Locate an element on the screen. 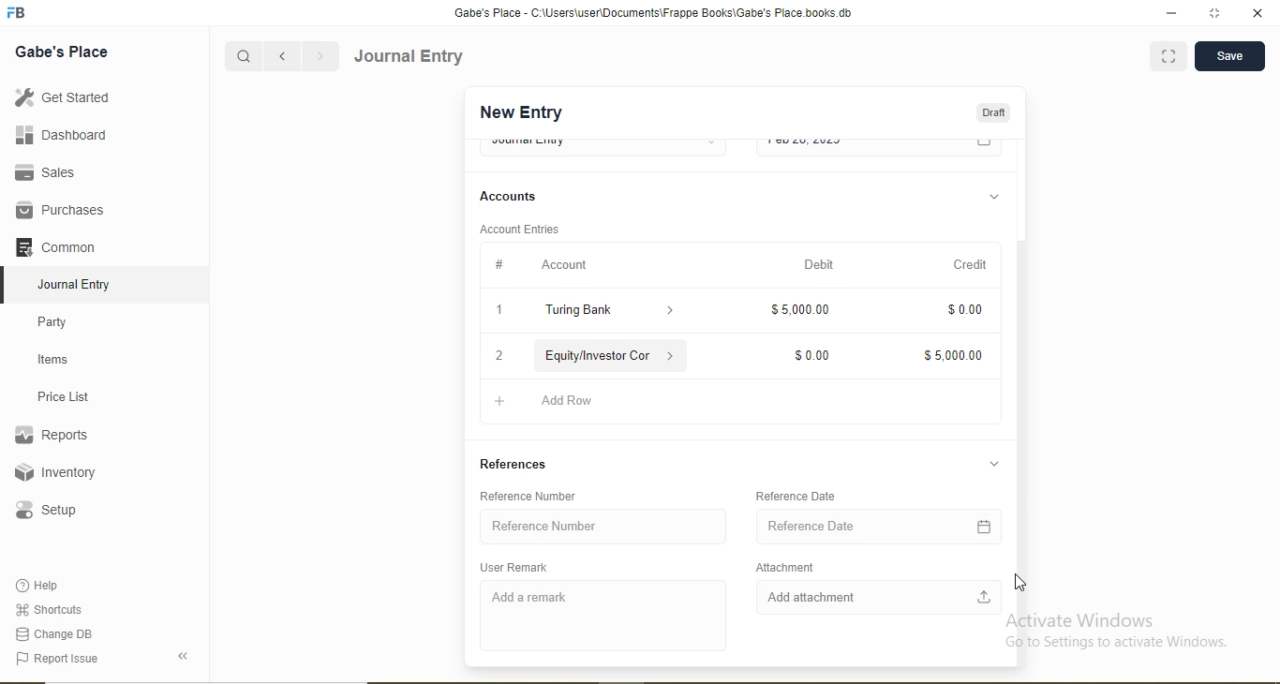  $0.00 is located at coordinates (964, 308).